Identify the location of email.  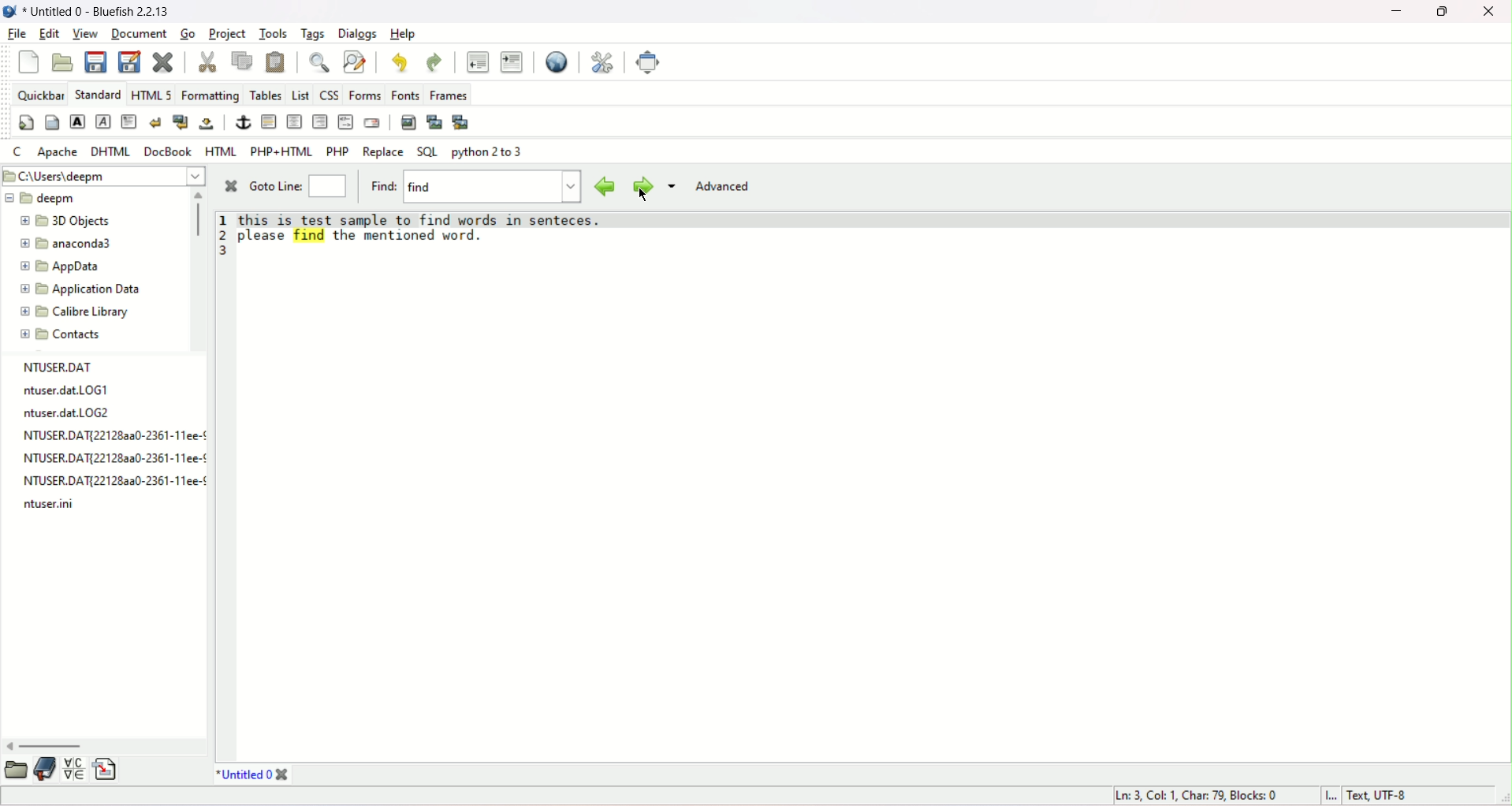
(374, 123).